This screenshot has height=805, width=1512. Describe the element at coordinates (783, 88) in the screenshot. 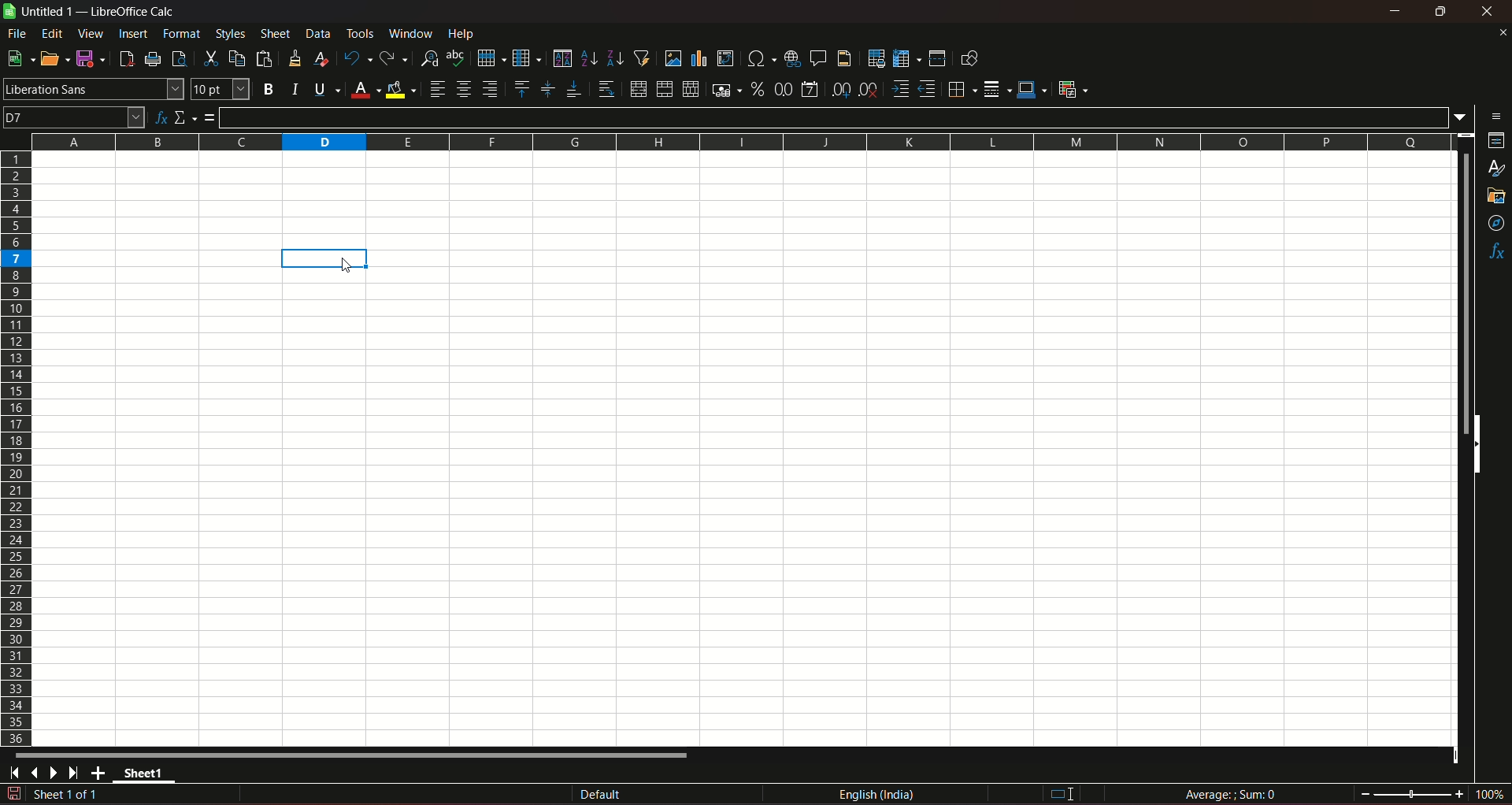

I see `format as number` at that location.